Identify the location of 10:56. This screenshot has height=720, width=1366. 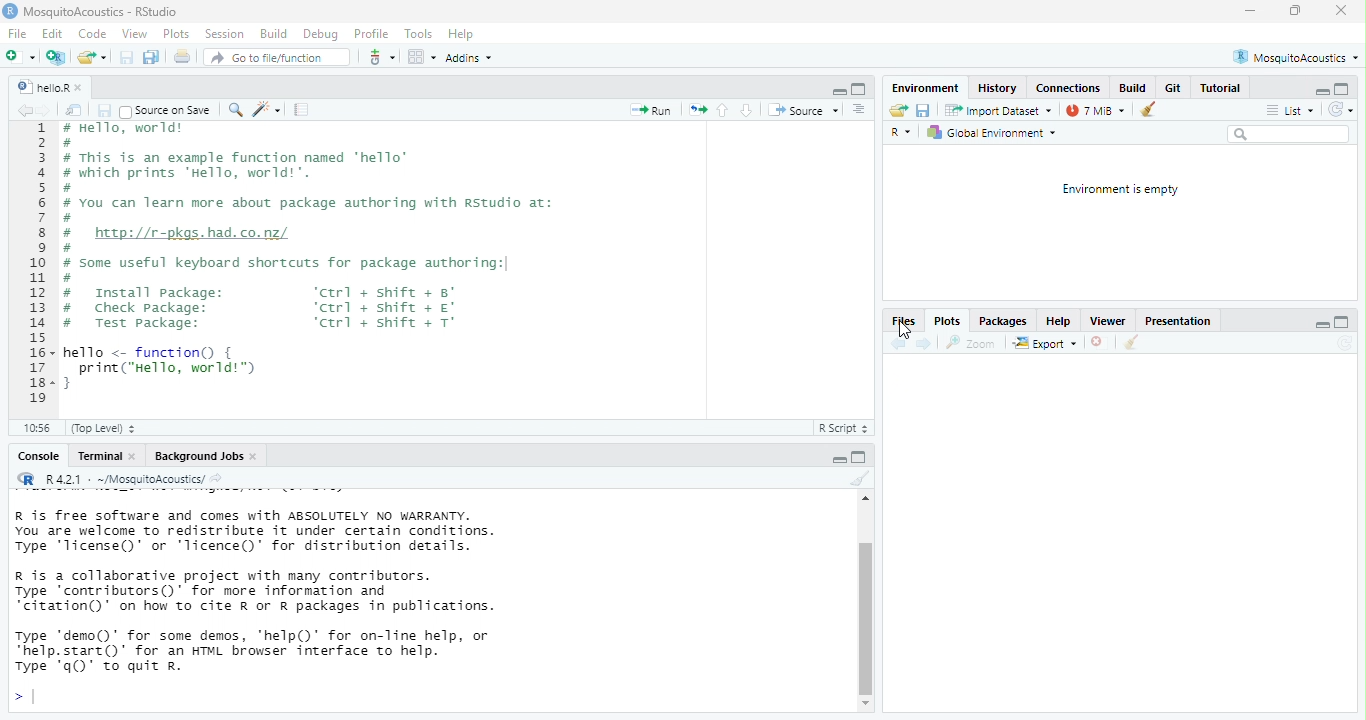
(41, 428).